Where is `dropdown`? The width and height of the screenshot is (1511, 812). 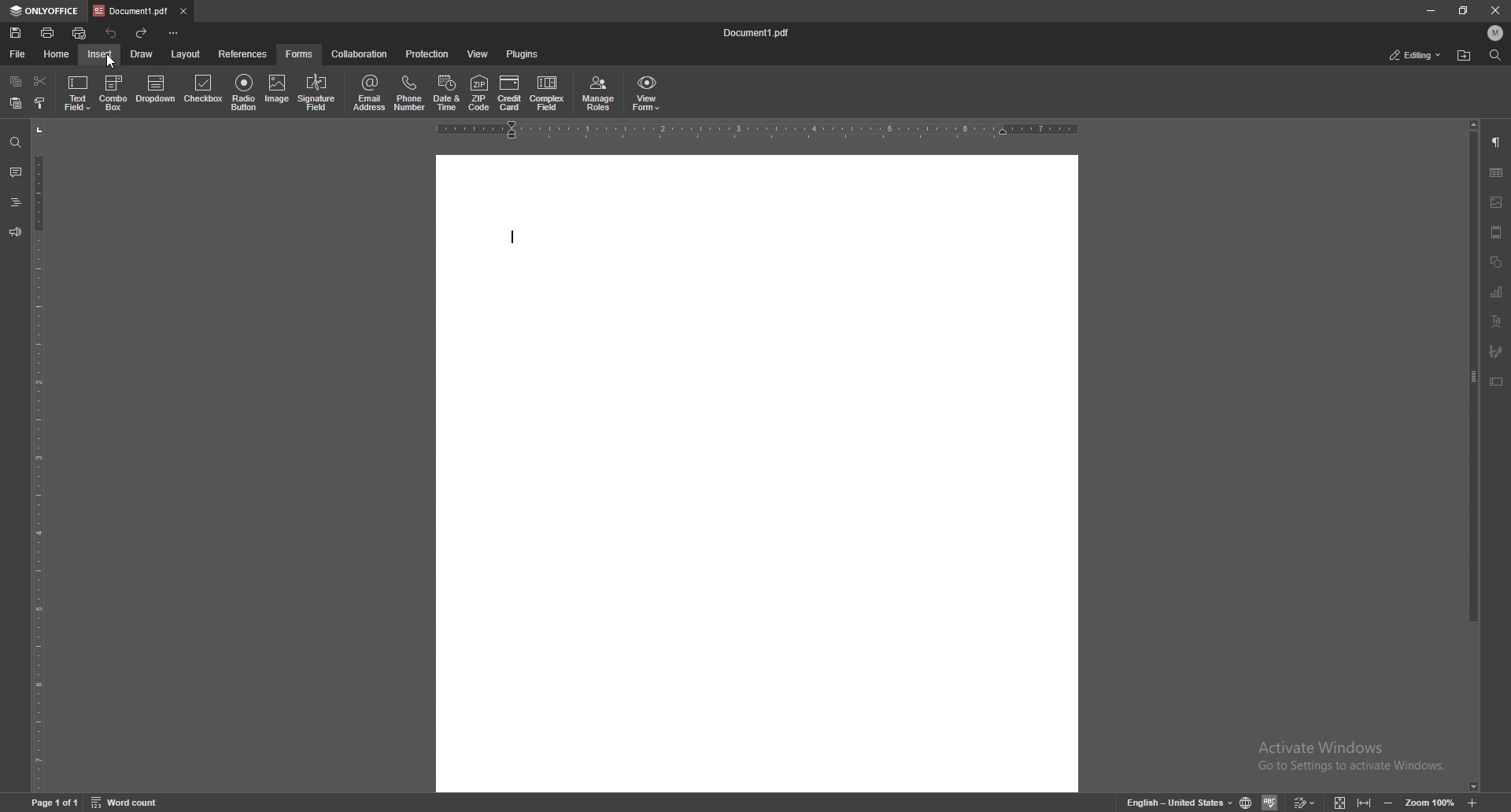
dropdown is located at coordinates (157, 91).